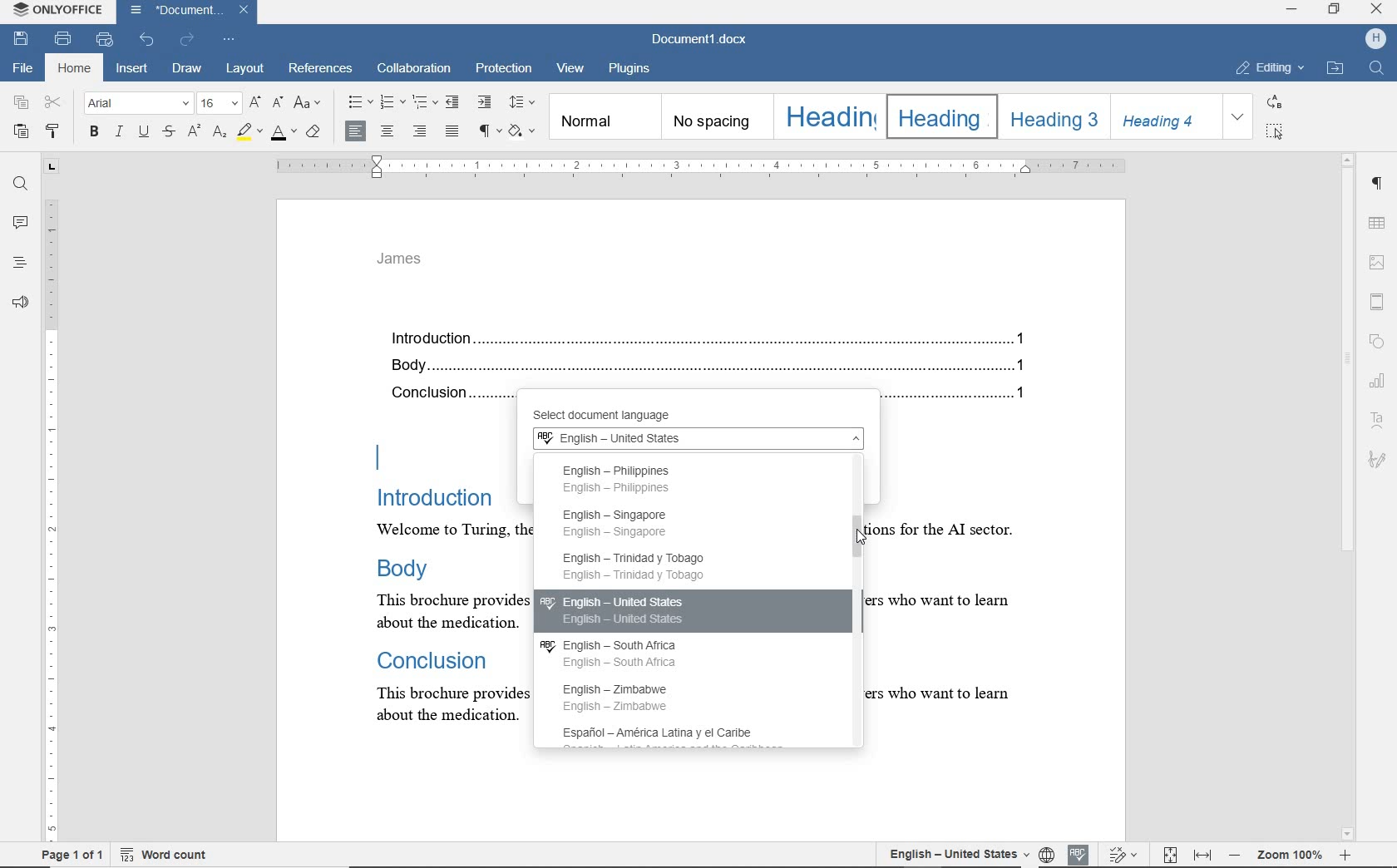 The height and width of the screenshot is (868, 1397). Describe the element at coordinates (19, 131) in the screenshot. I see `paste` at that location.